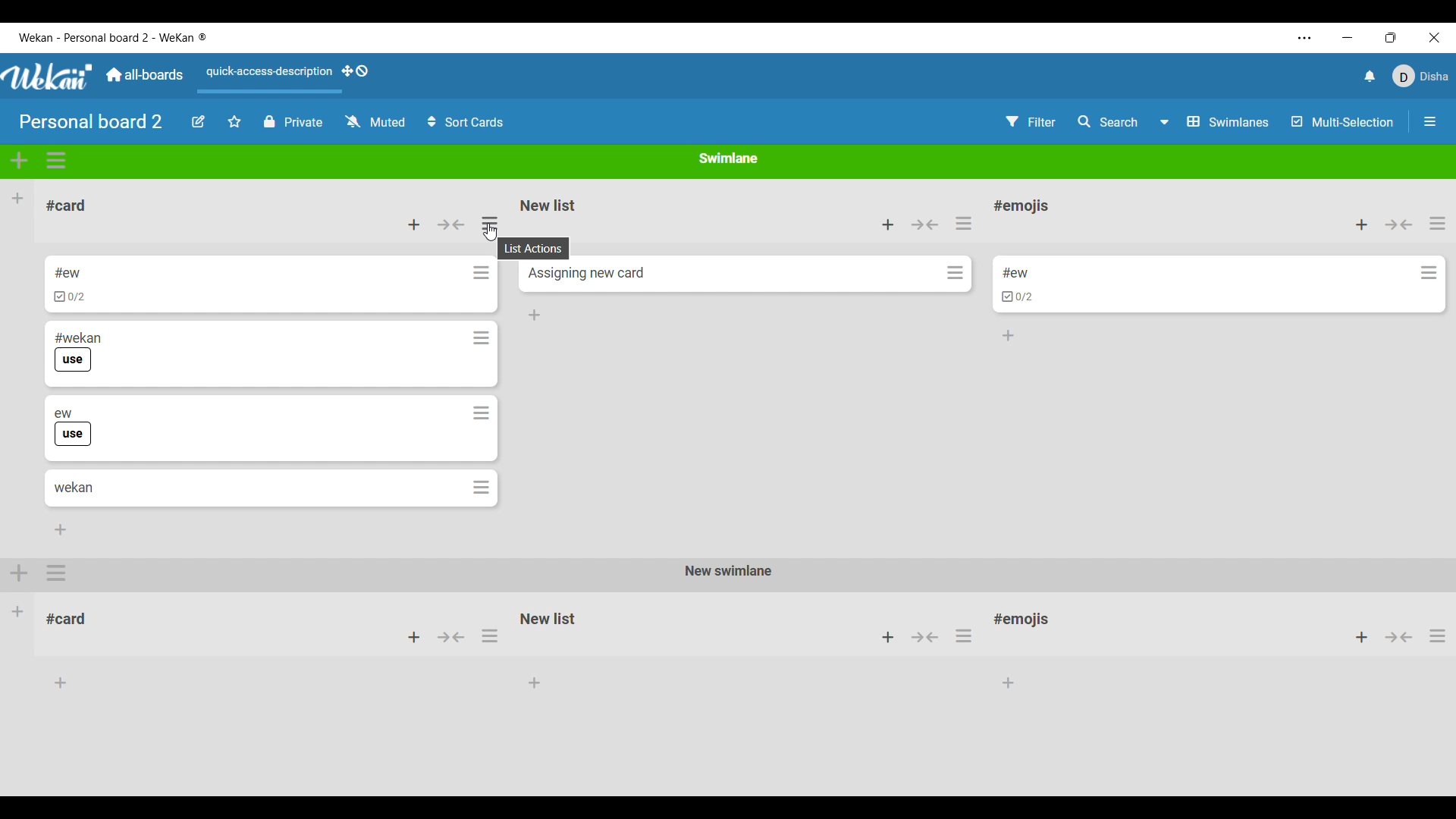 The width and height of the screenshot is (1456, 819). What do you see at coordinates (1398, 224) in the screenshot?
I see `Collapse` at bounding box center [1398, 224].